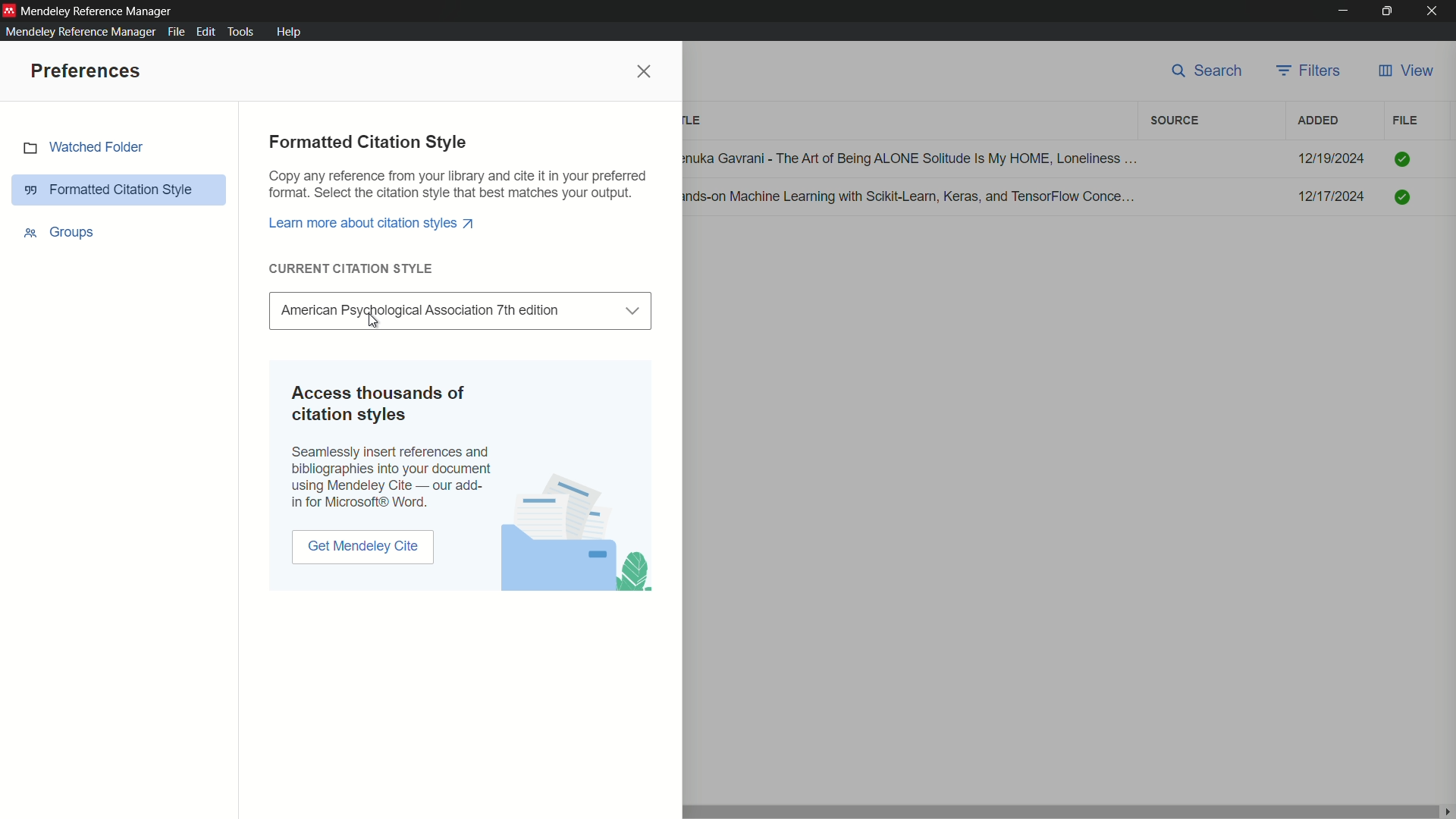  Describe the element at coordinates (373, 222) in the screenshot. I see `Learn more about citation styles` at that location.